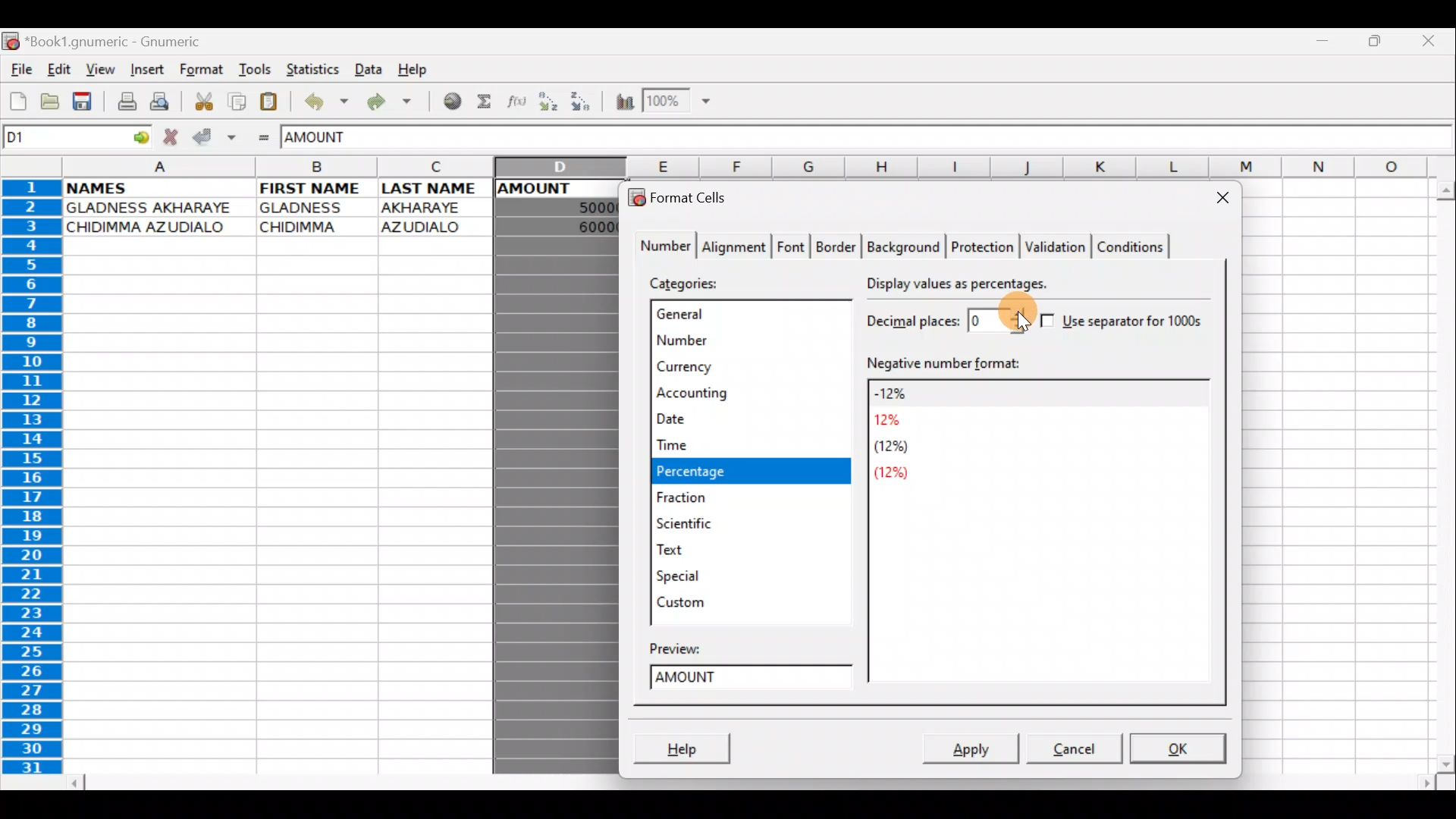  I want to click on Text, so click(687, 550).